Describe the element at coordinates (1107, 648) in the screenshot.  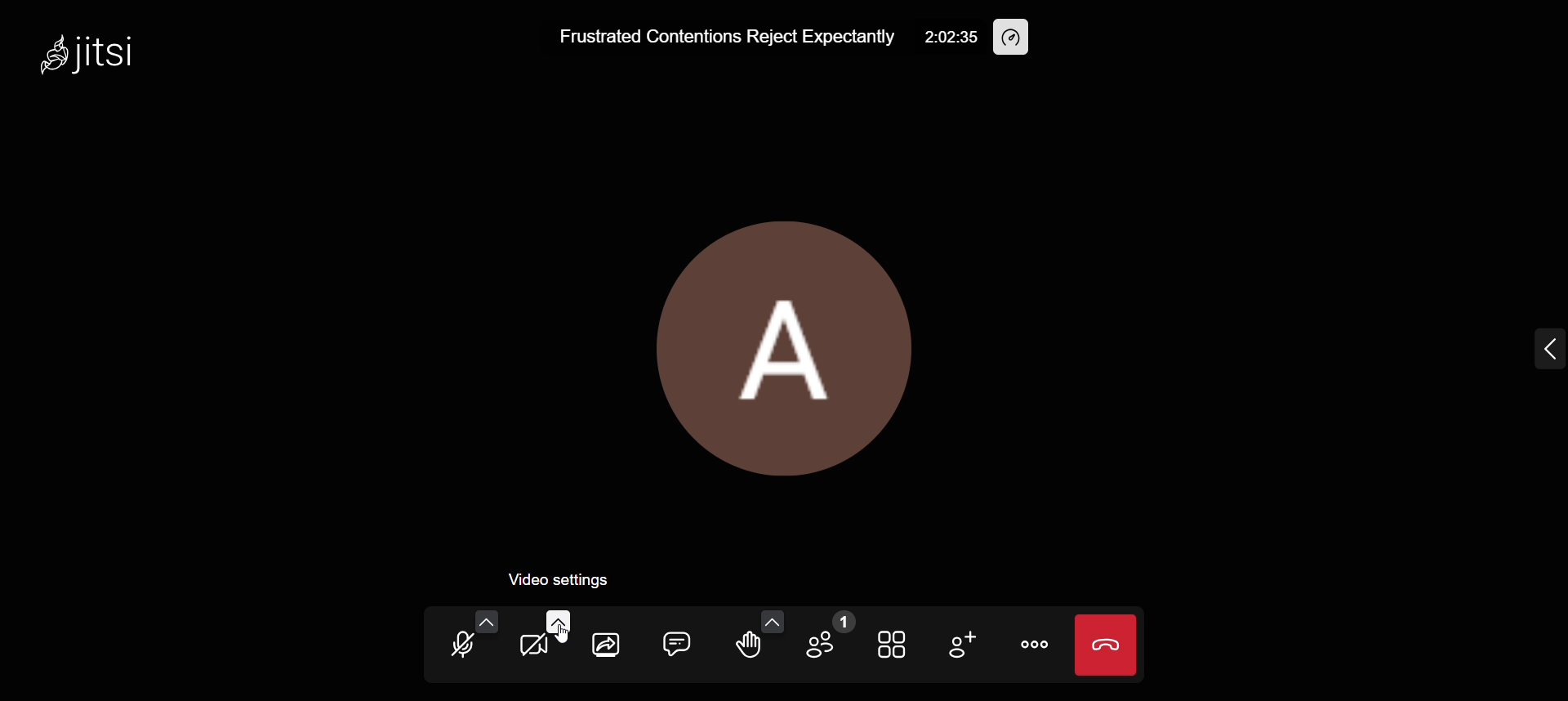
I see `end call` at that location.